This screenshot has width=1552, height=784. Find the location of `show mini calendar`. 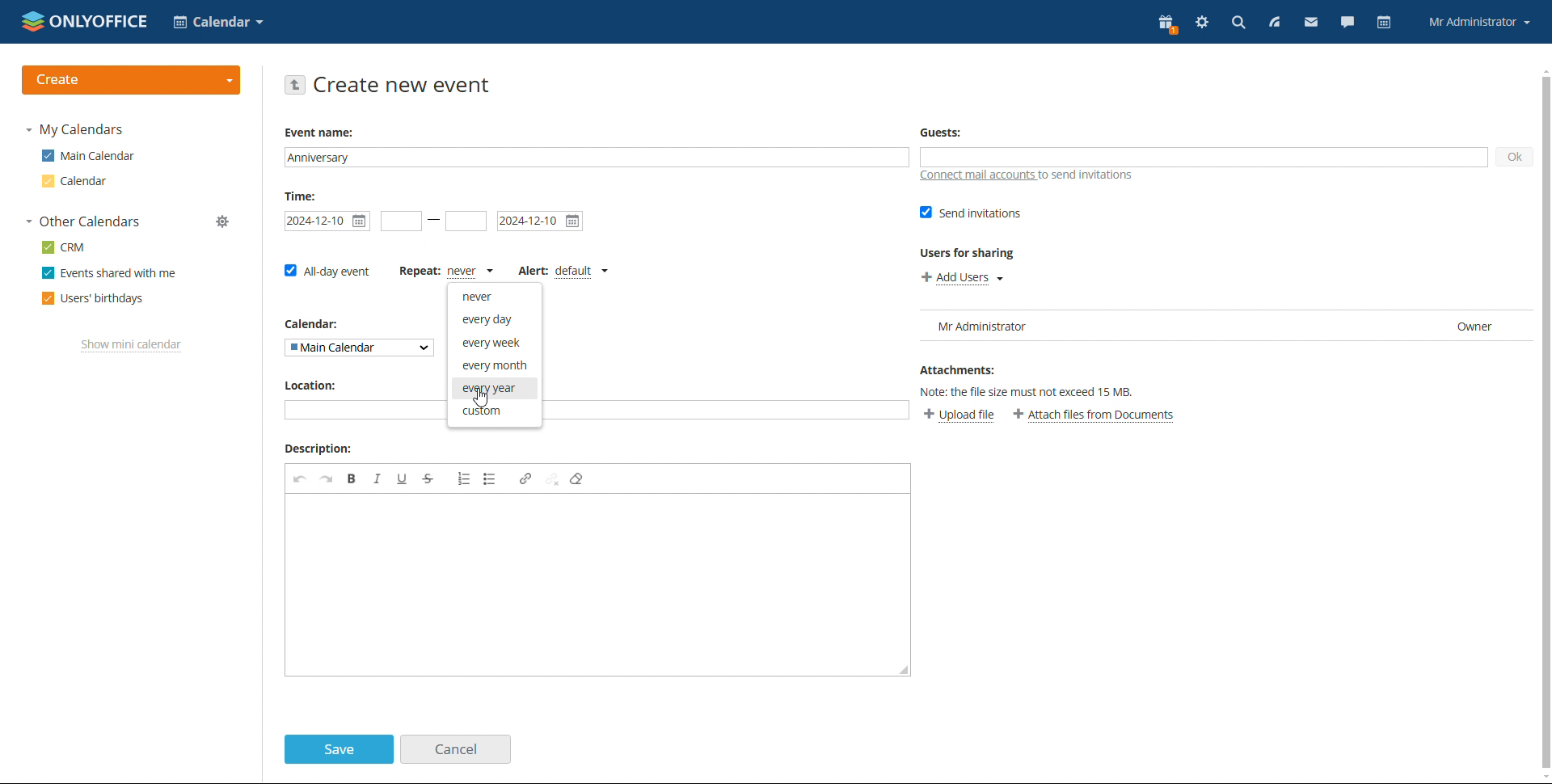

show mini calendar is located at coordinates (132, 347).